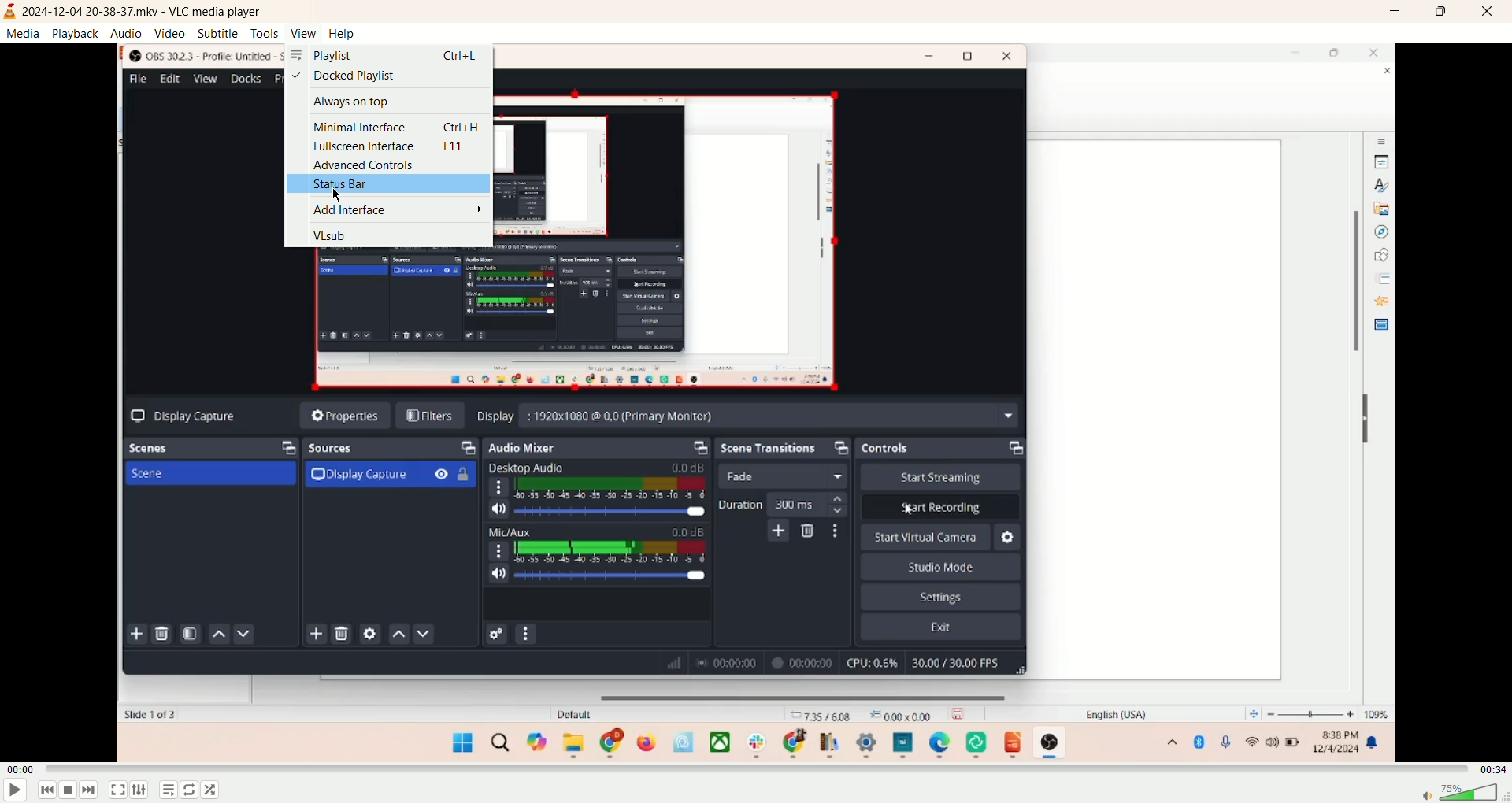  What do you see at coordinates (755, 511) in the screenshot?
I see `main screen` at bounding box center [755, 511].